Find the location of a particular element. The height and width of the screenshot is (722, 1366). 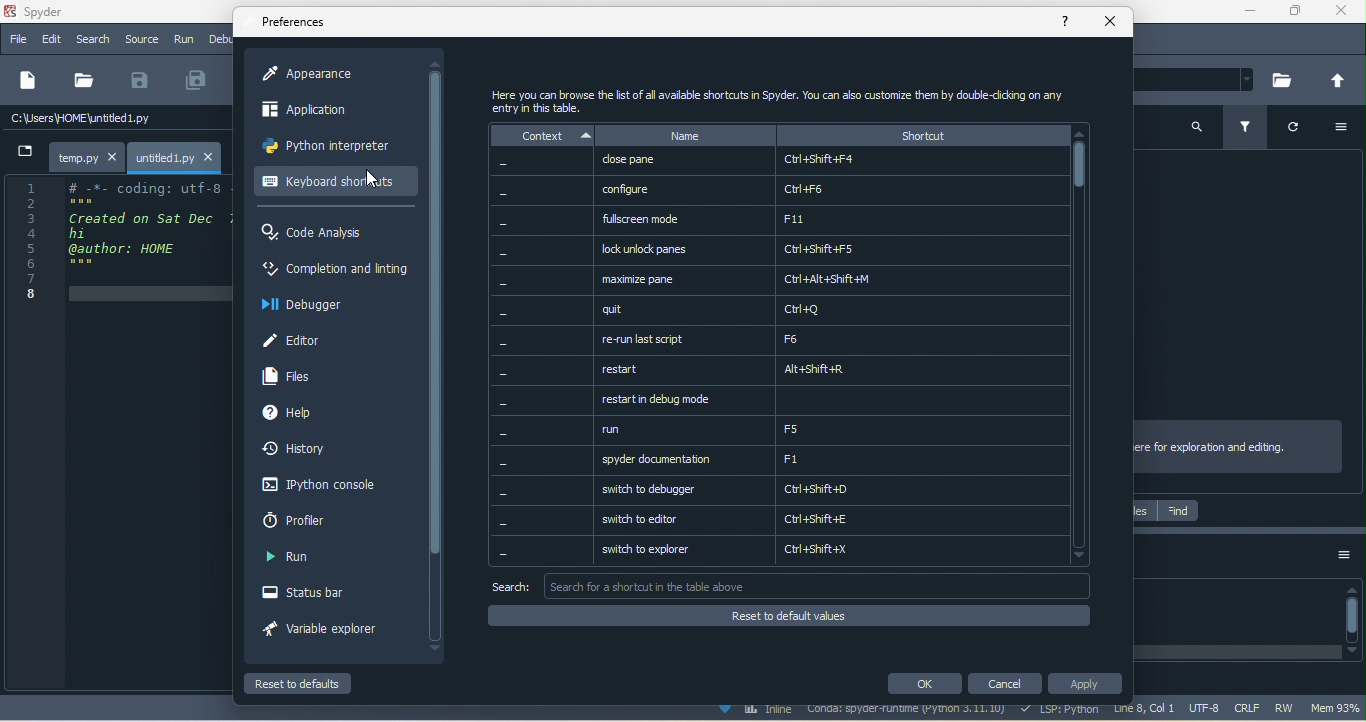

restart is located at coordinates (826, 368).